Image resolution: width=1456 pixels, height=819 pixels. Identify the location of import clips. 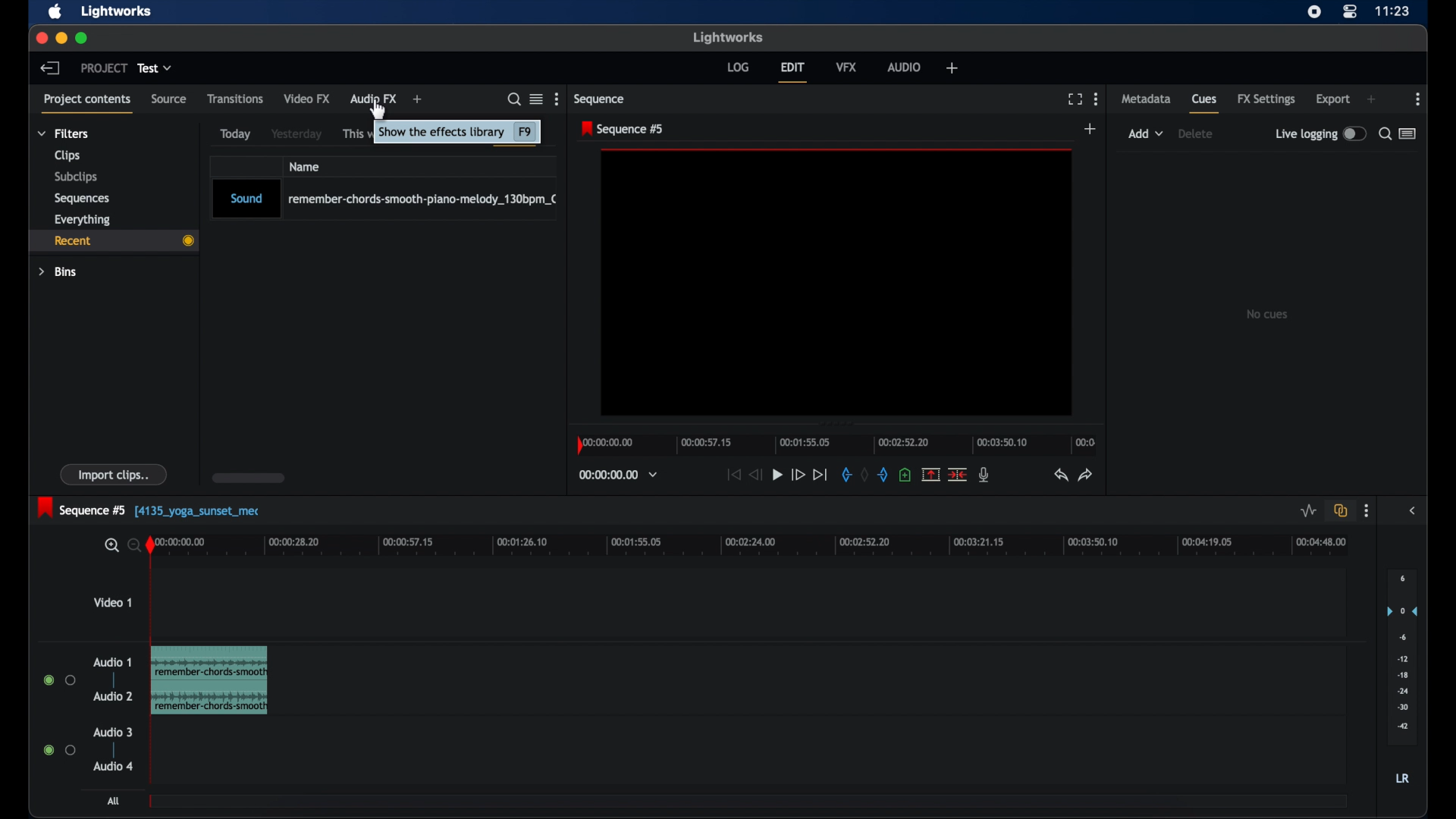
(114, 475).